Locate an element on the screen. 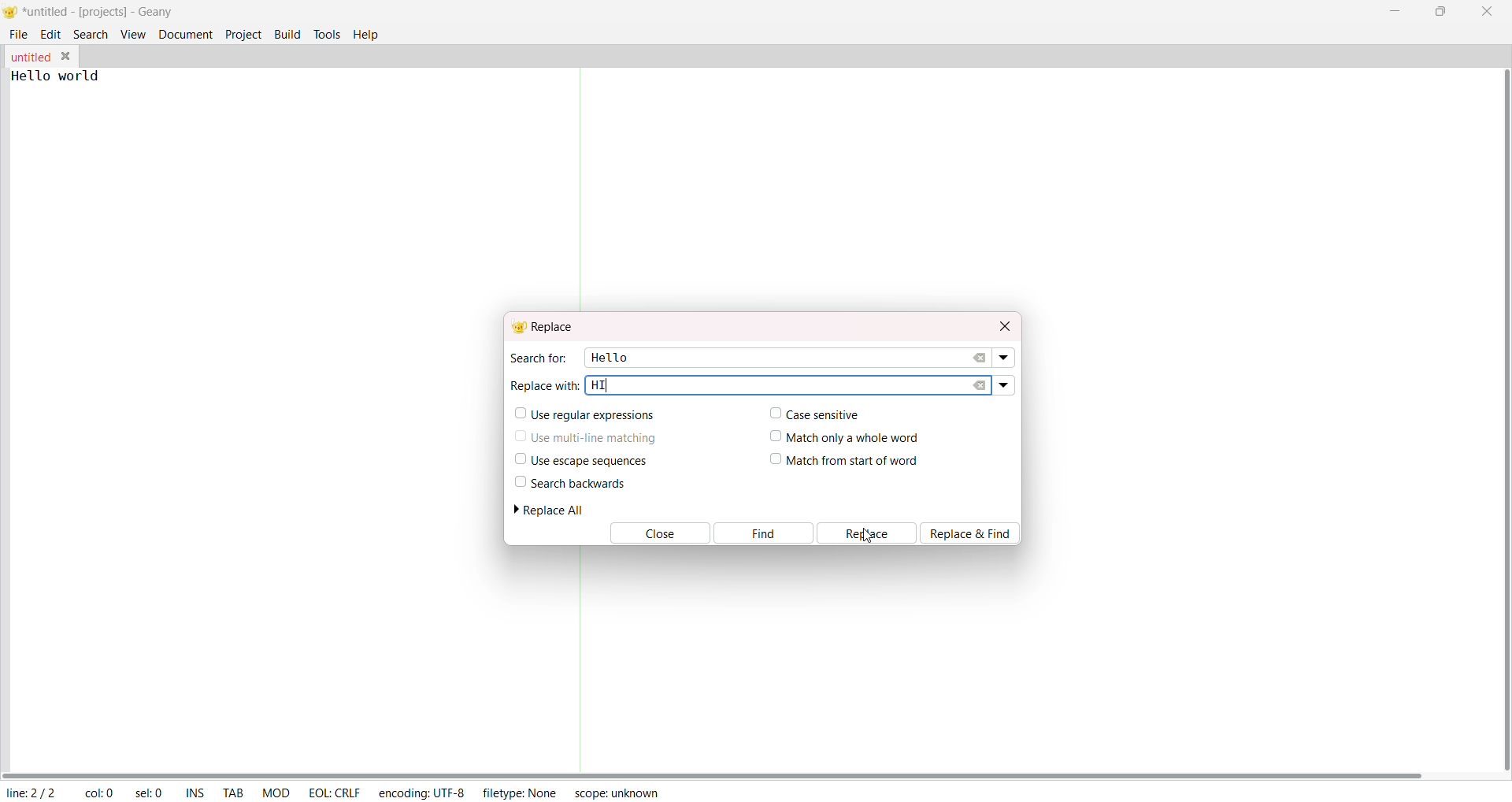 The height and width of the screenshot is (802, 1512). search for is located at coordinates (537, 358).